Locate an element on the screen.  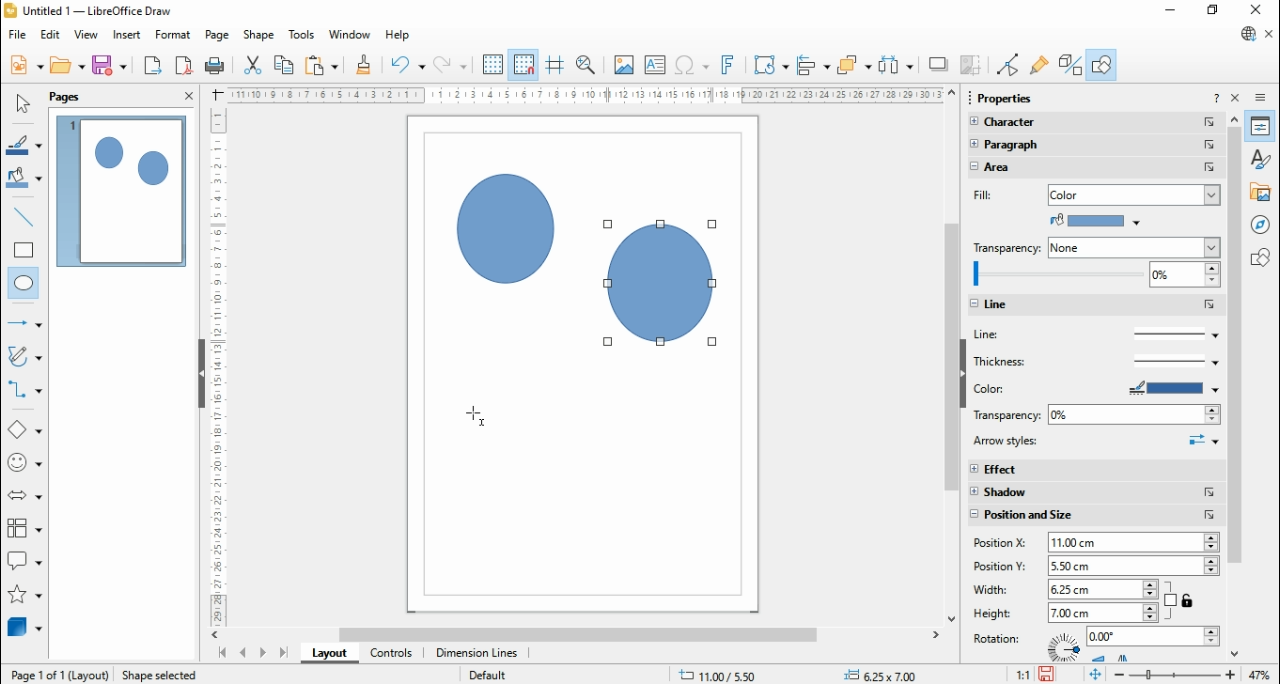
color is located at coordinates (1030, 389).